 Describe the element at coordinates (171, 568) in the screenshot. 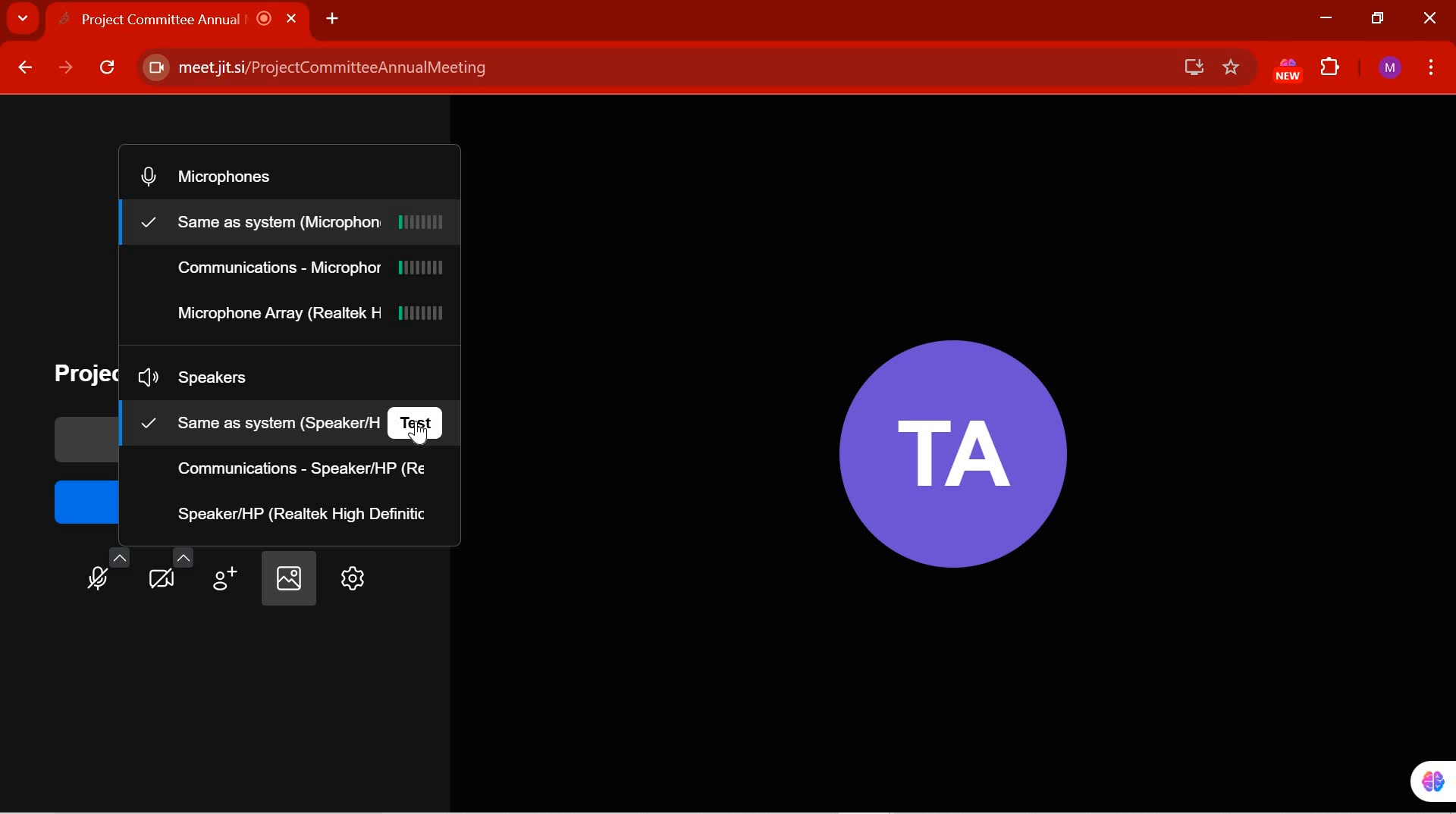

I see `video settings` at that location.